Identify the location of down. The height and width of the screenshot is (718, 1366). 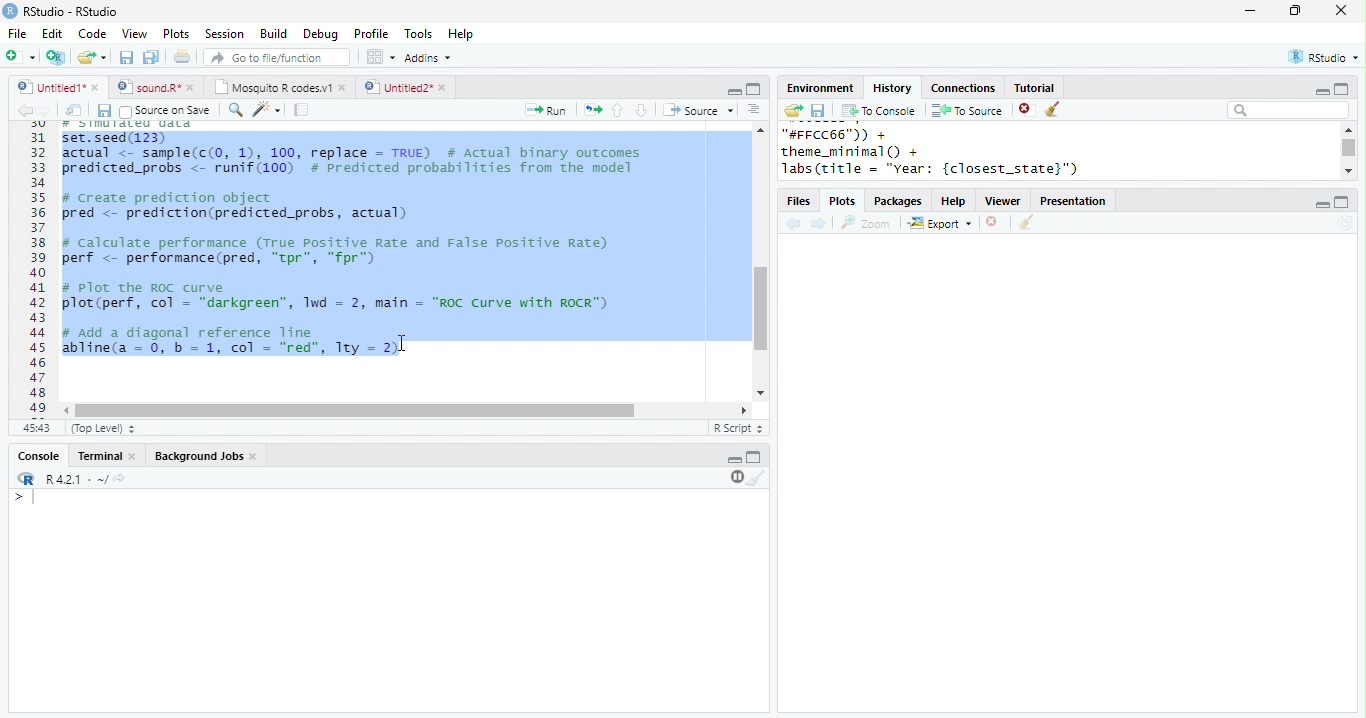
(640, 110).